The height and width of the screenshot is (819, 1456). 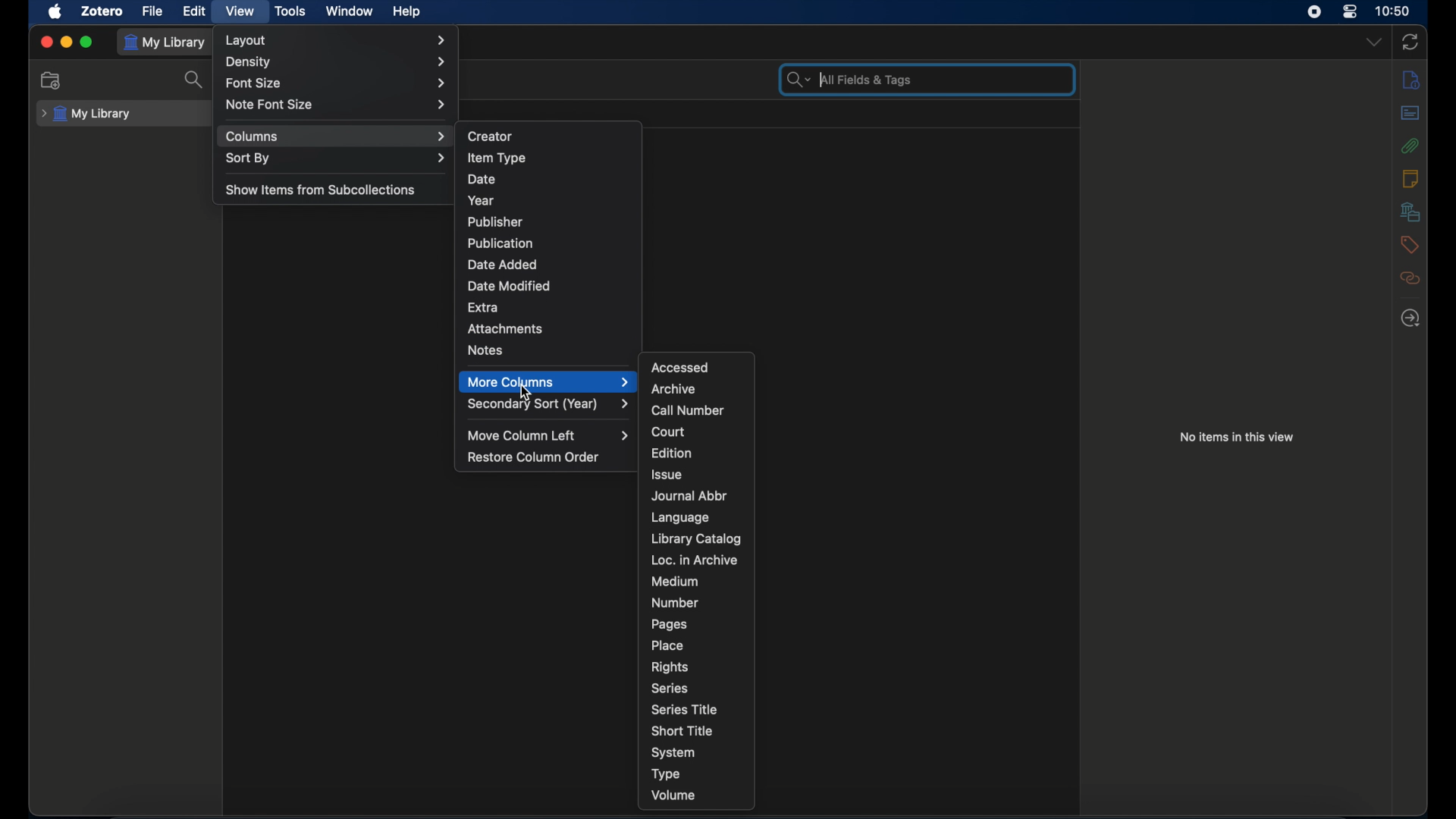 I want to click on issue, so click(x=668, y=475).